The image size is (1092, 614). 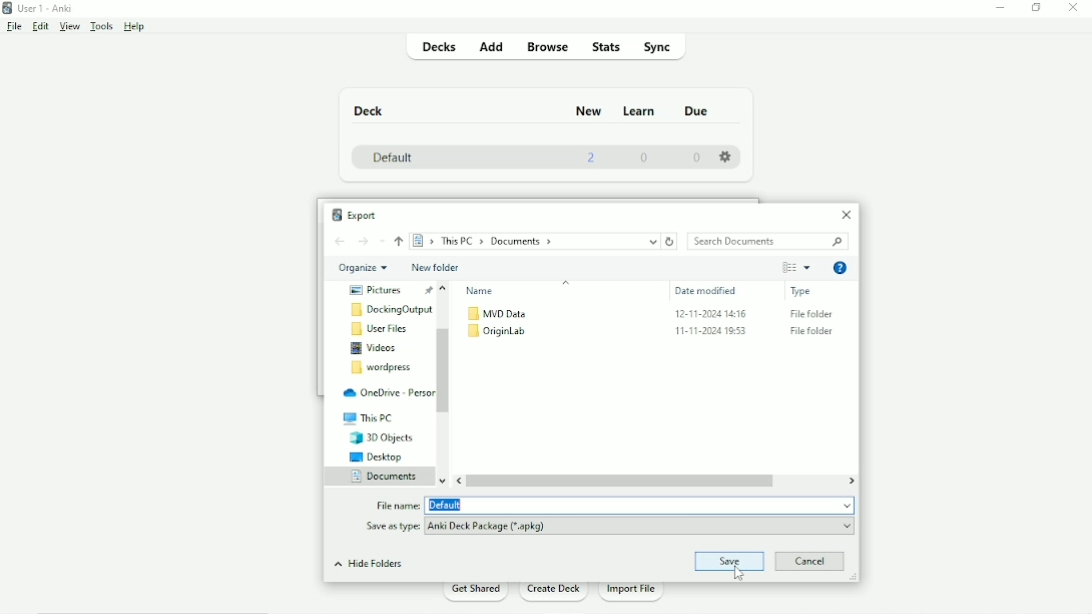 I want to click on OneDrive-Personal, so click(x=386, y=394).